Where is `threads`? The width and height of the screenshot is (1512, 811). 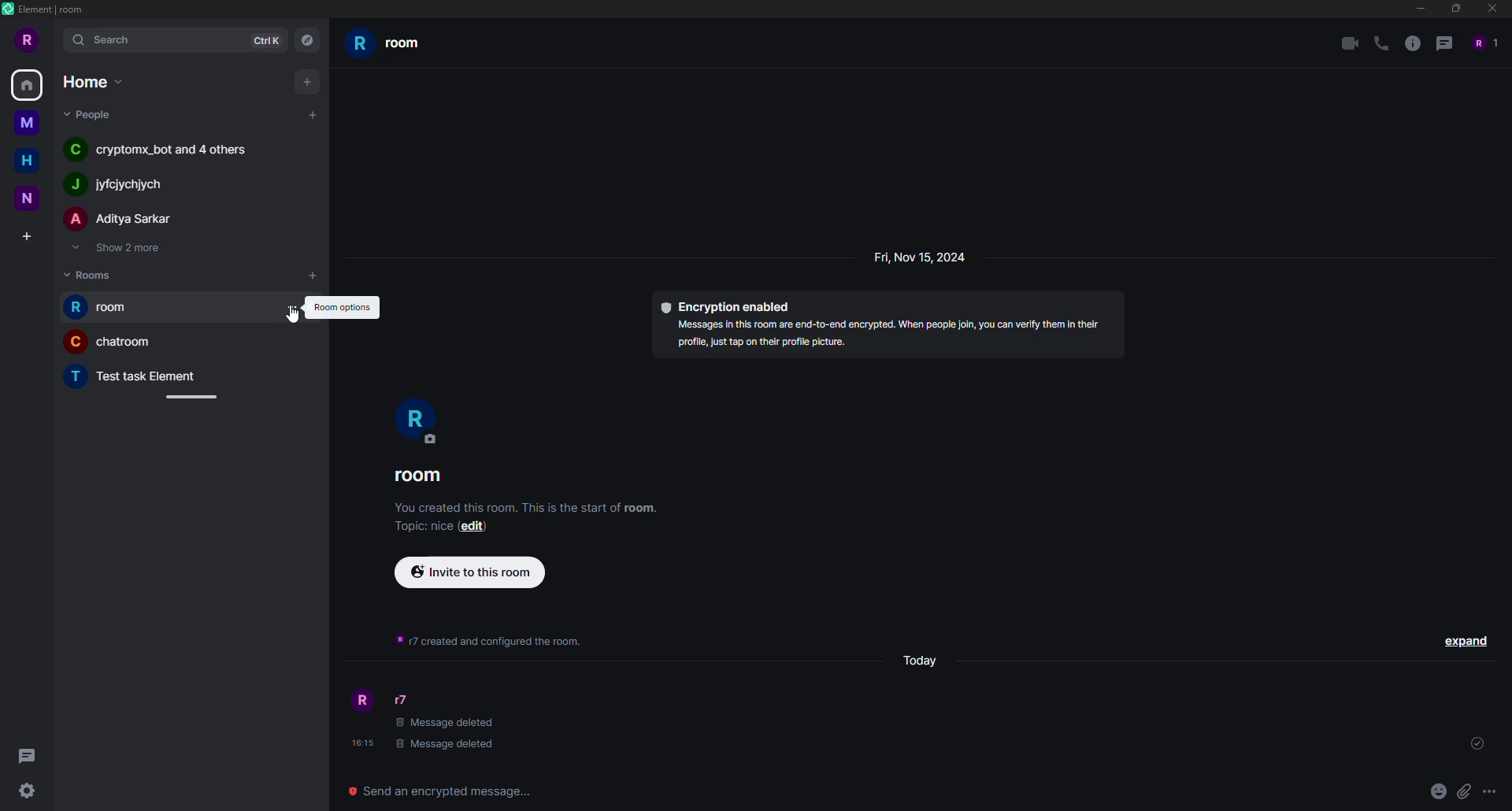
threads is located at coordinates (31, 755).